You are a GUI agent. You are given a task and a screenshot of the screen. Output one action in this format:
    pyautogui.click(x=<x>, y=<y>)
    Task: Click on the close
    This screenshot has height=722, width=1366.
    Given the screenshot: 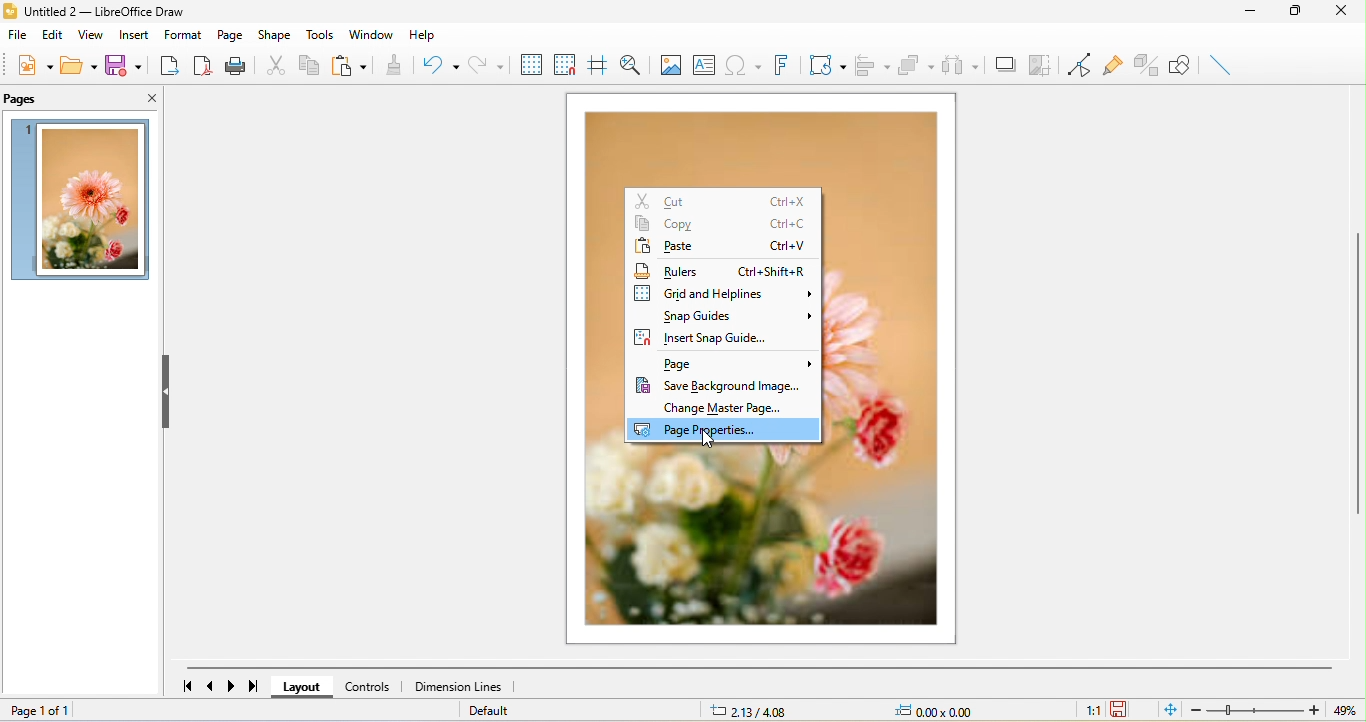 What is the action you would take?
    pyautogui.click(x=138, y=96)
    